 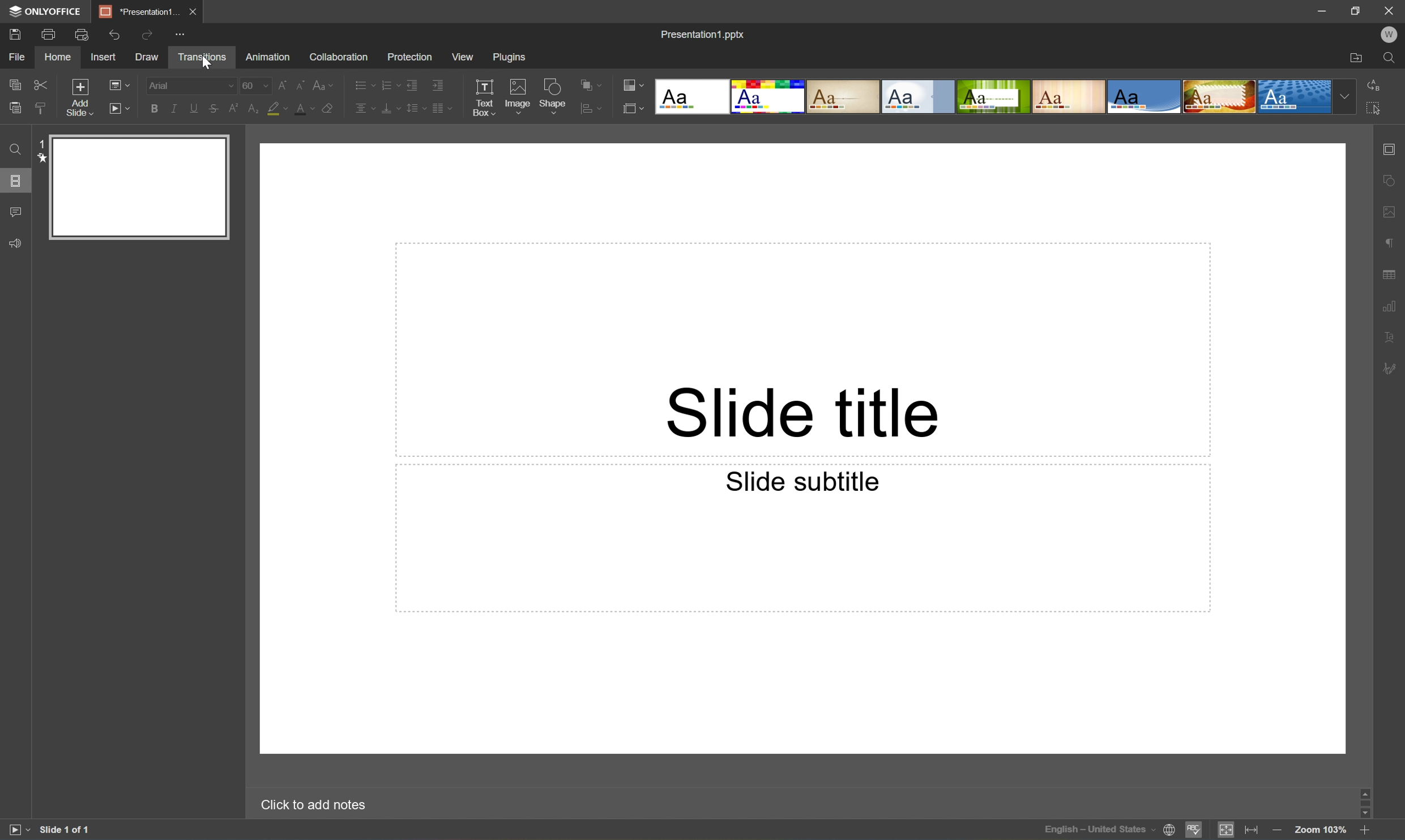 What do you see at coordinates (106, 57) in the screenshot?
I see `Insert` at bounding box center [106, 57].